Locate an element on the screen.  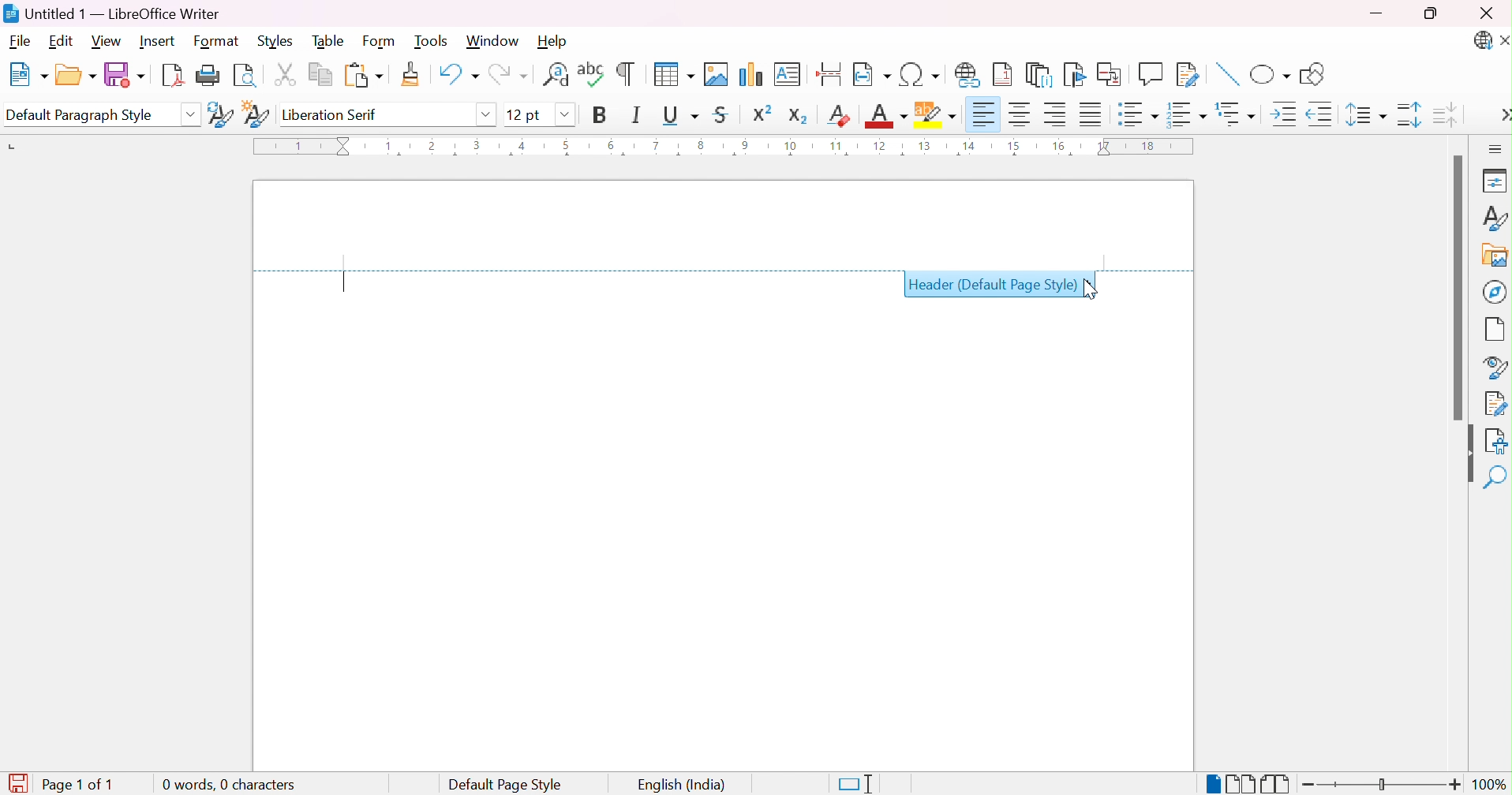
Multiple-page view is located at coordinates (1243, 784).